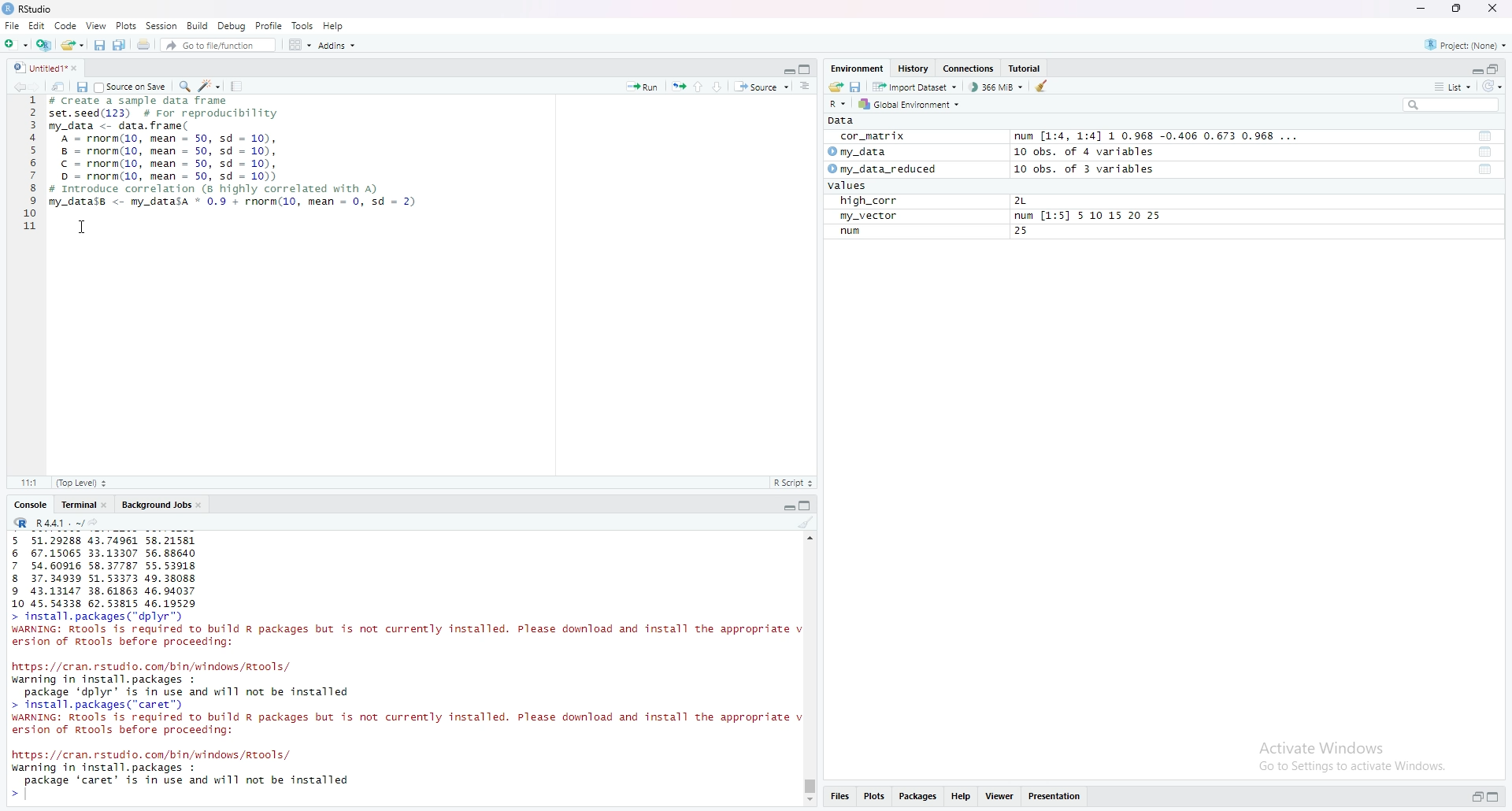 This screenshot has height=811, width=1512. I want to click on save, so click(101, 46).